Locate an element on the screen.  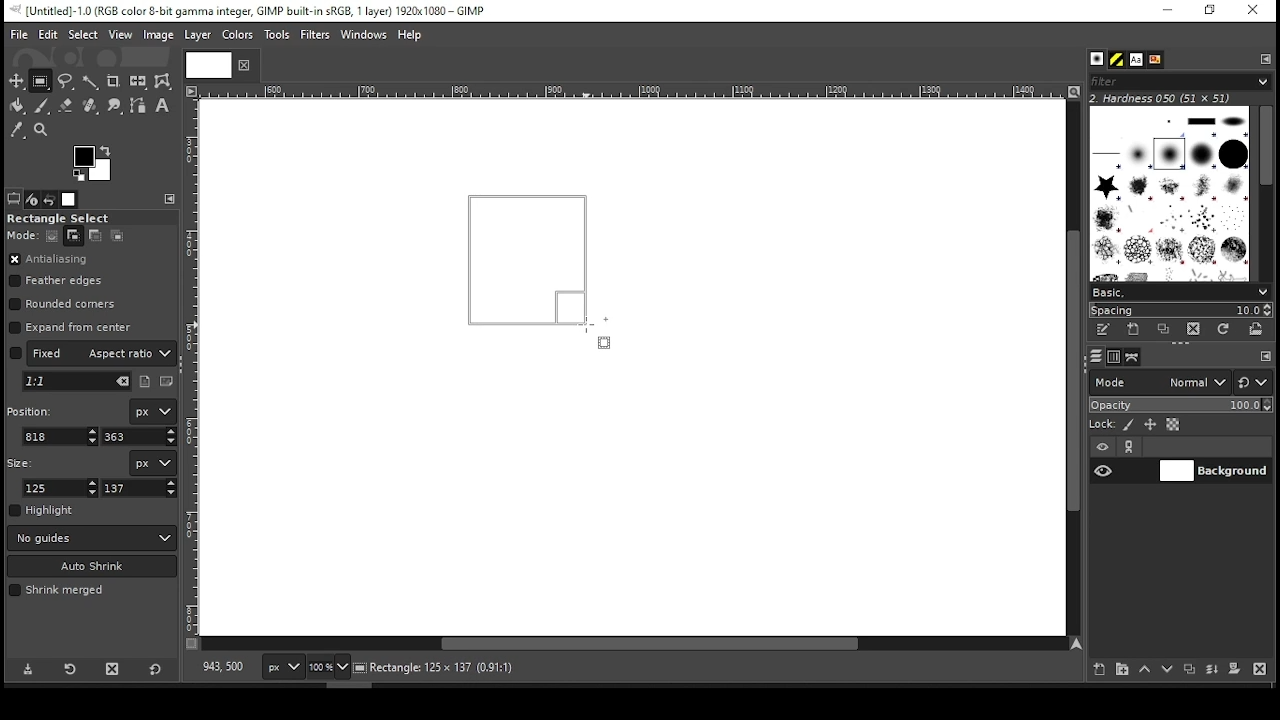
close window is located at coordinates (1252, 11).